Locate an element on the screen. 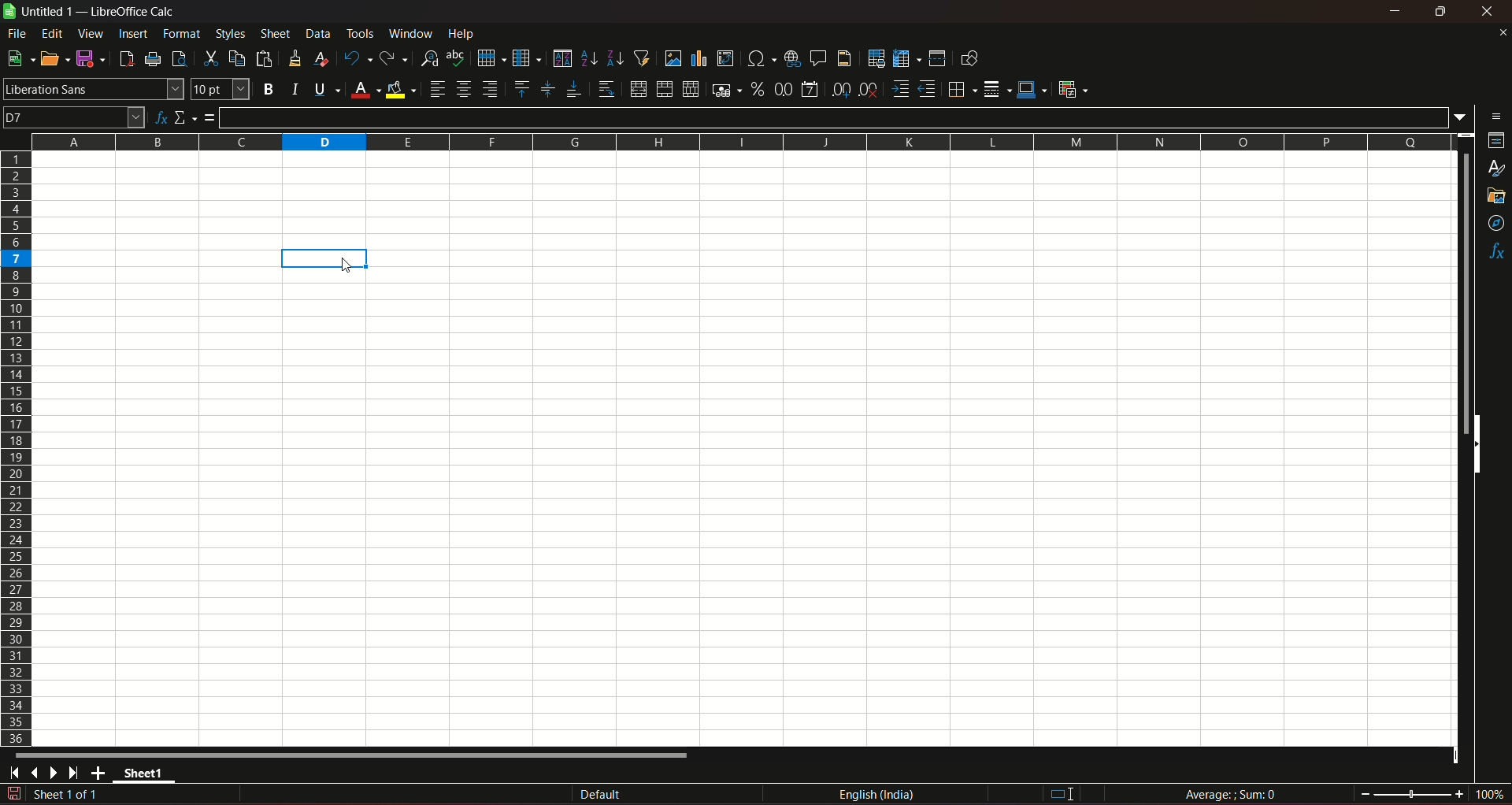 Image resolution: width=1512 pixels, height=805 pixels. background color is located at coordinates (402, 89).